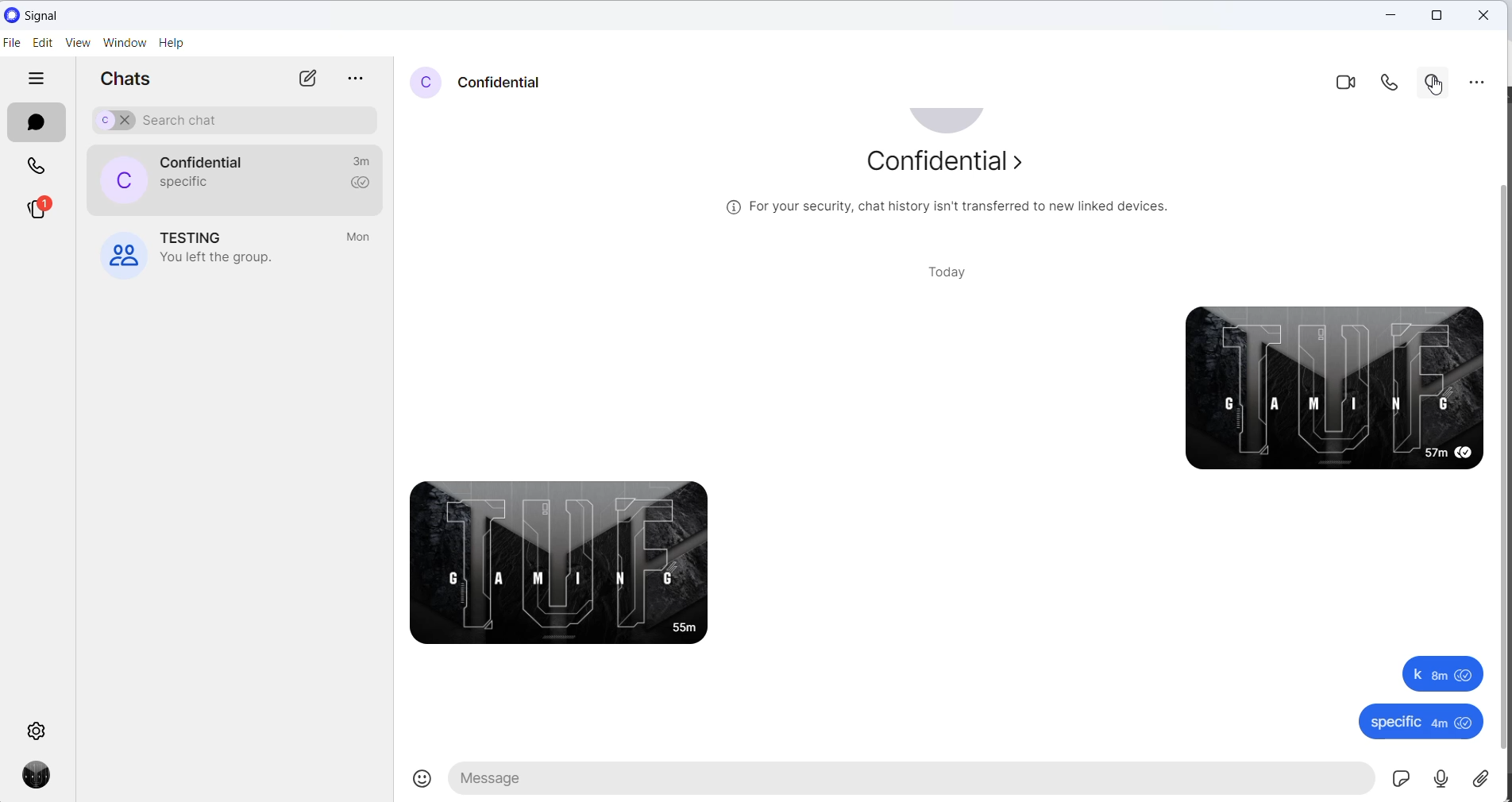  I want to click on close, so click(1483, 15).